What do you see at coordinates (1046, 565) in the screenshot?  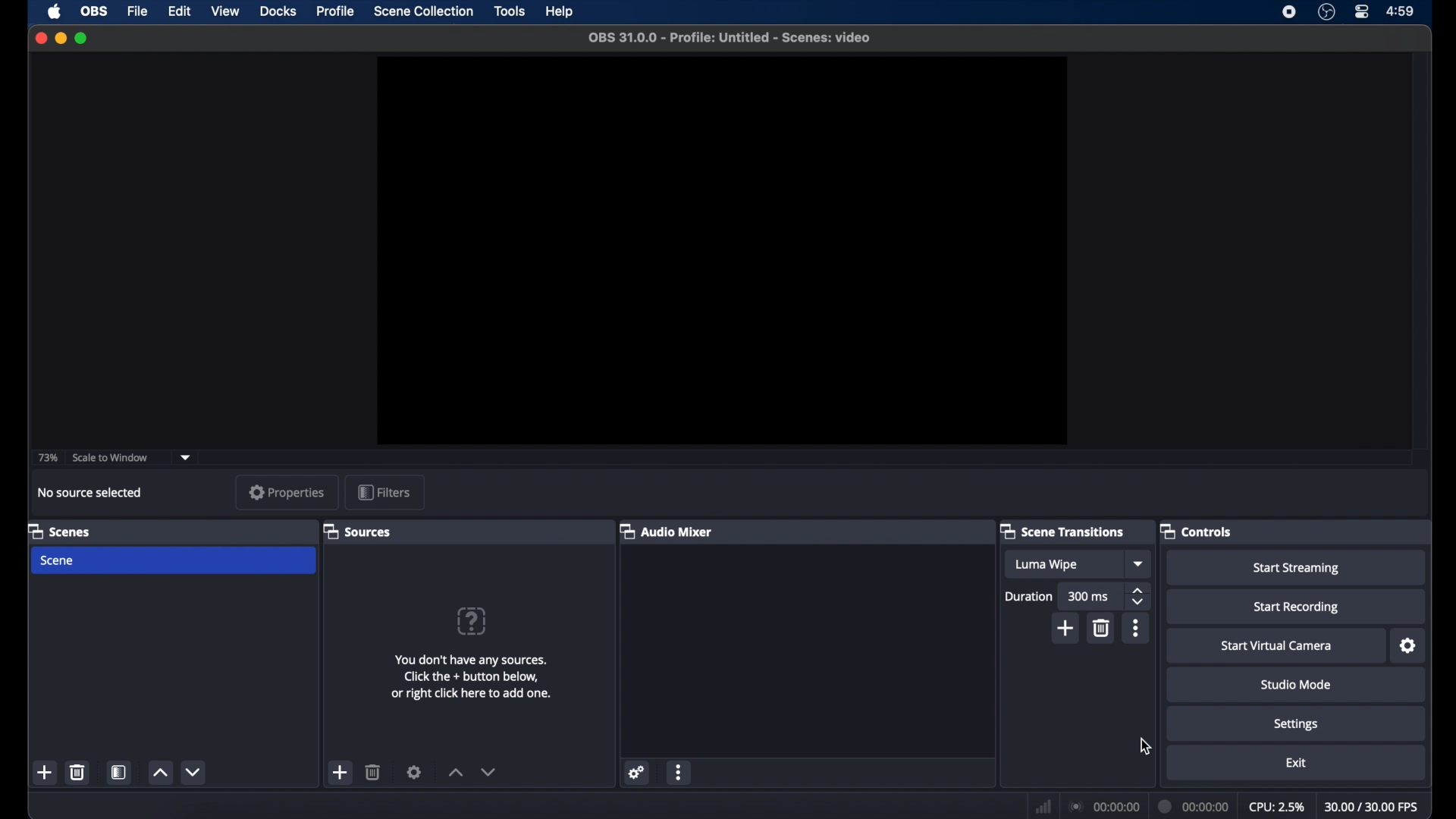 I see `luma wipe` at bounding box center [1046, 565].